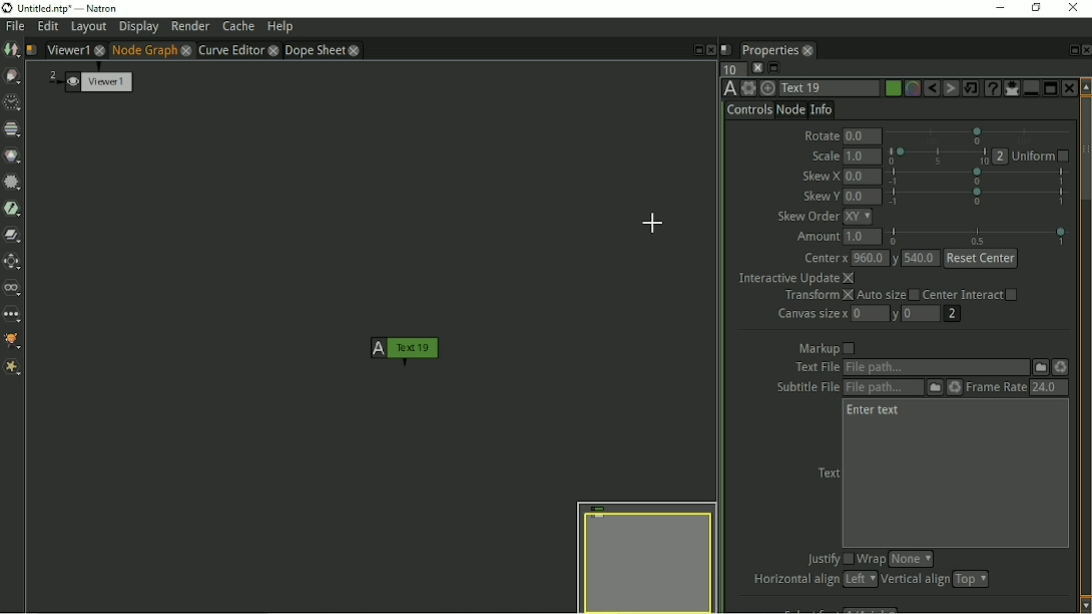 Image resolution: width=1092 pixels, height=614 pixels. Describe the element at coordinates (831, 88) in the screenshot. I see `Text 1` at that location.